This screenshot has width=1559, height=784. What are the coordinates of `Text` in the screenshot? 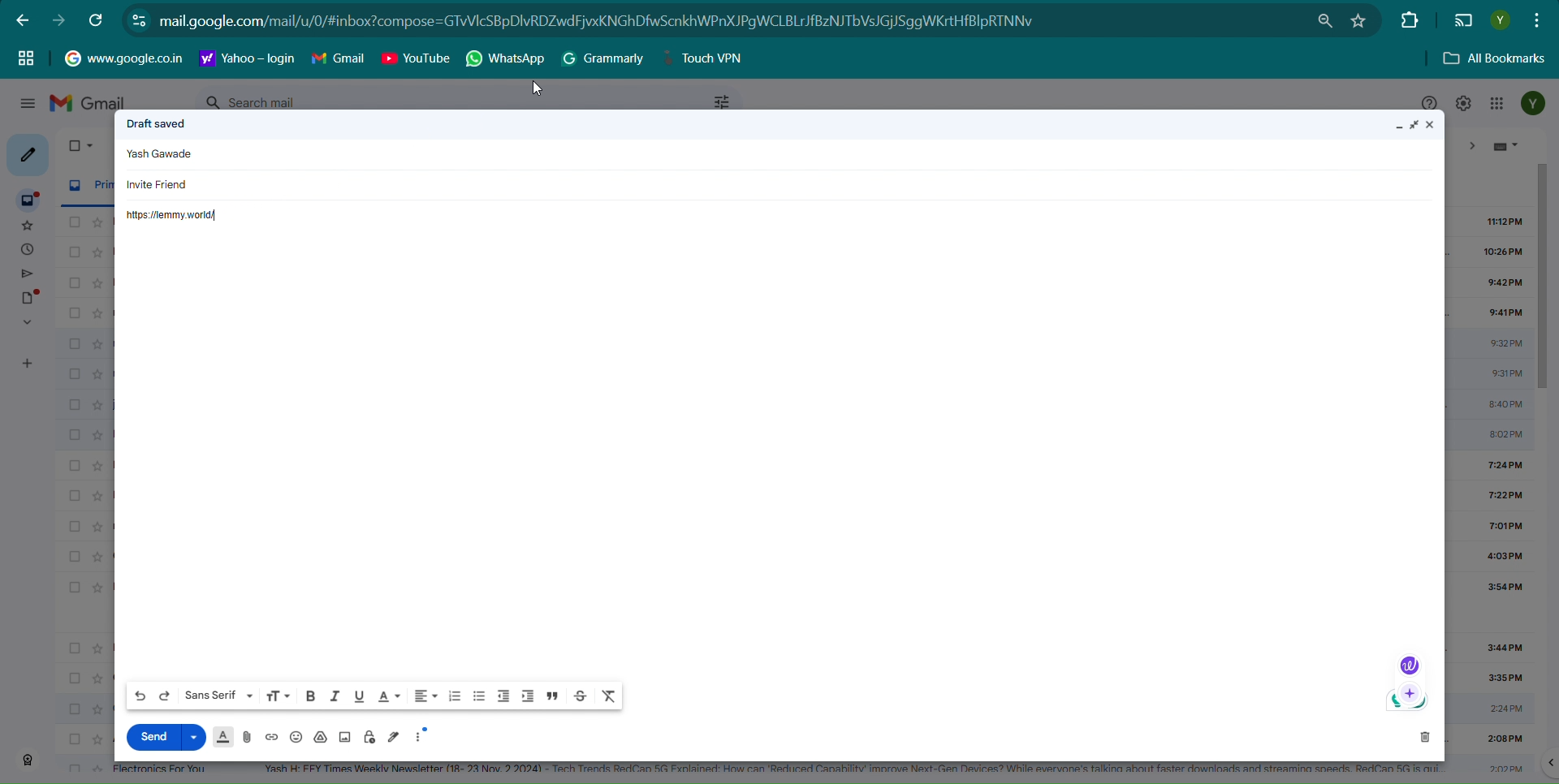 It's located at (163, 155).